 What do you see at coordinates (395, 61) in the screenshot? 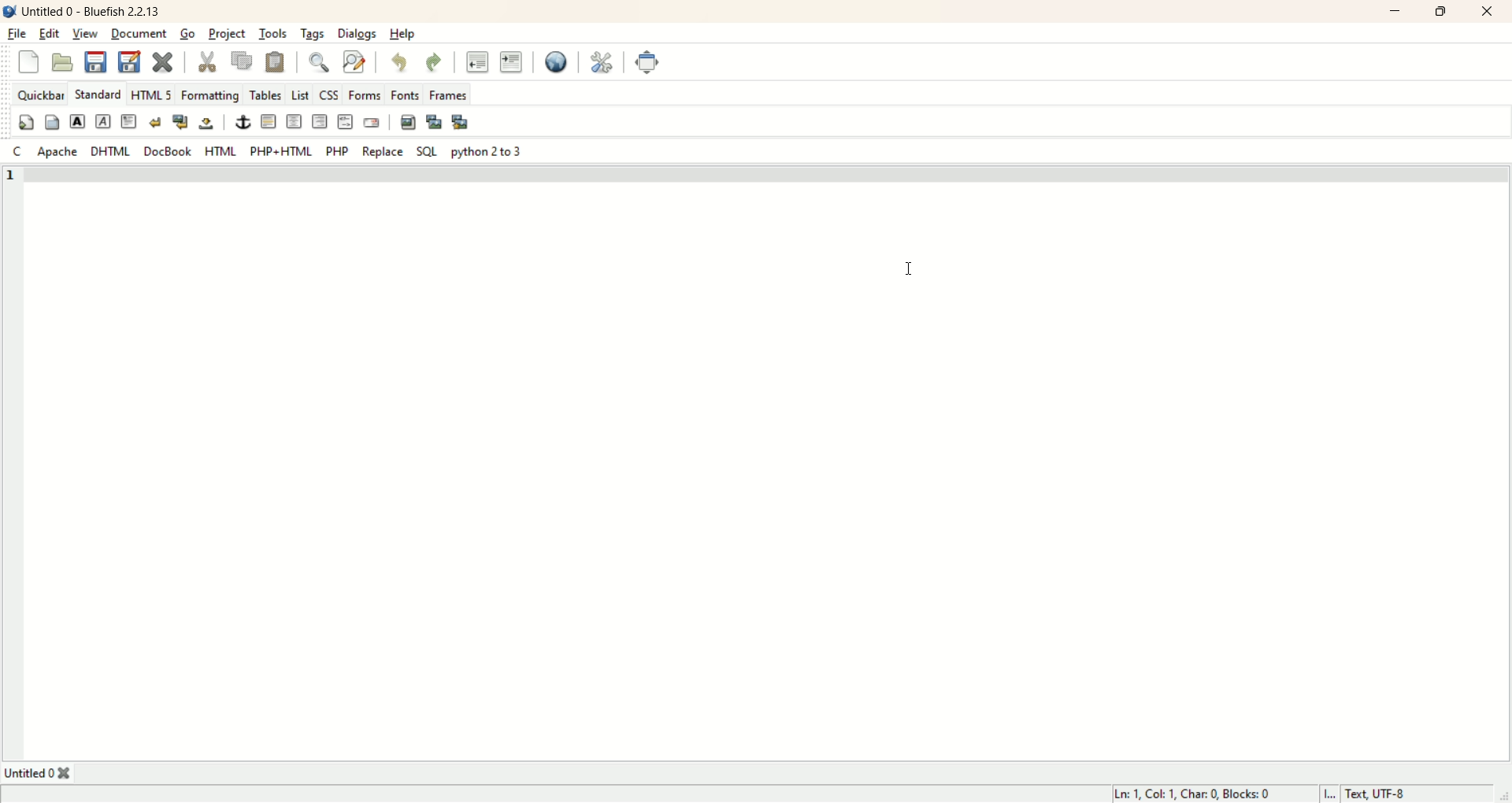
I see `undo` at bounding box center [395, 61].